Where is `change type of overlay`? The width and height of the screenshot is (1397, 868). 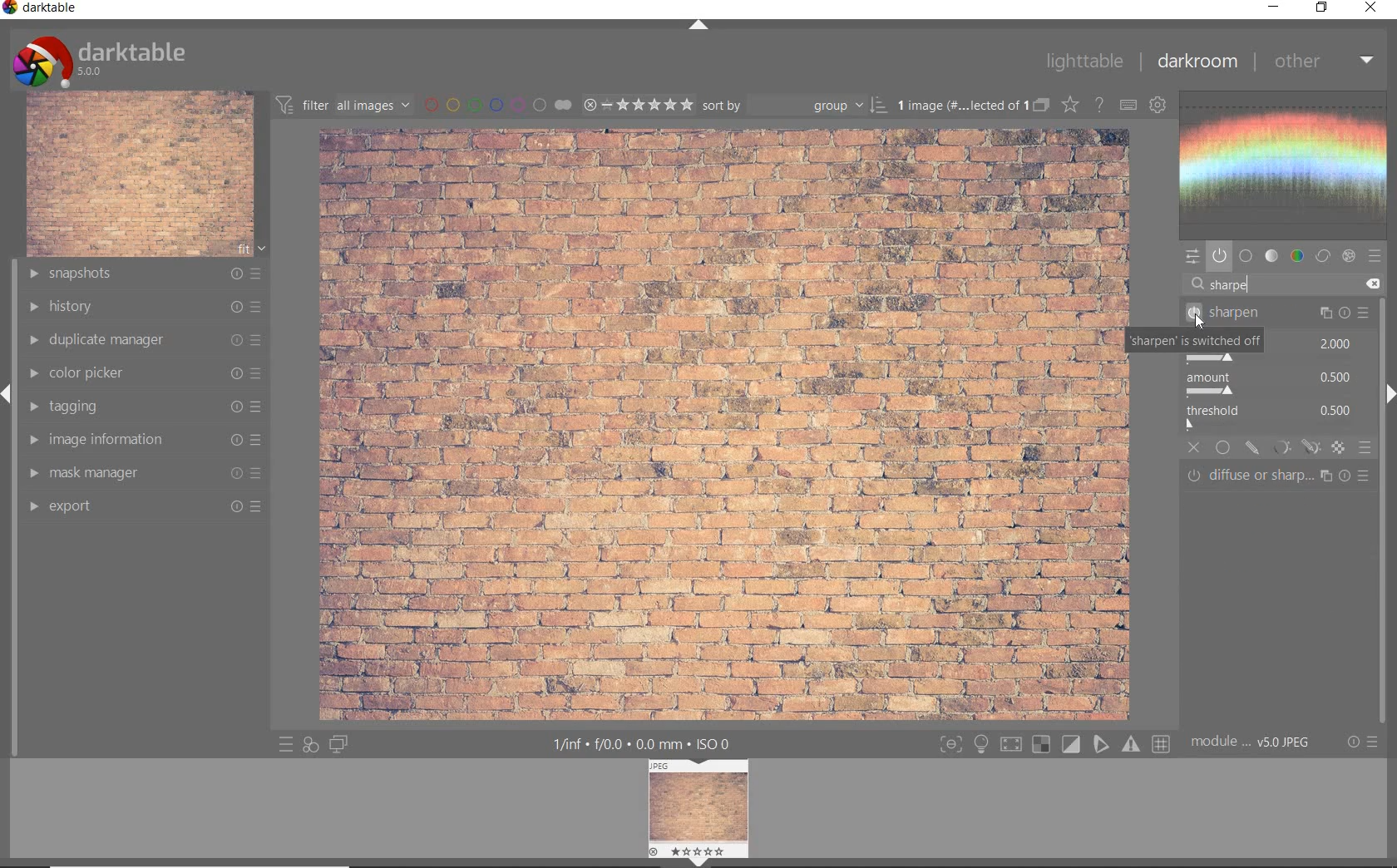 change type of overlay is located at coordinates (1069, 104).